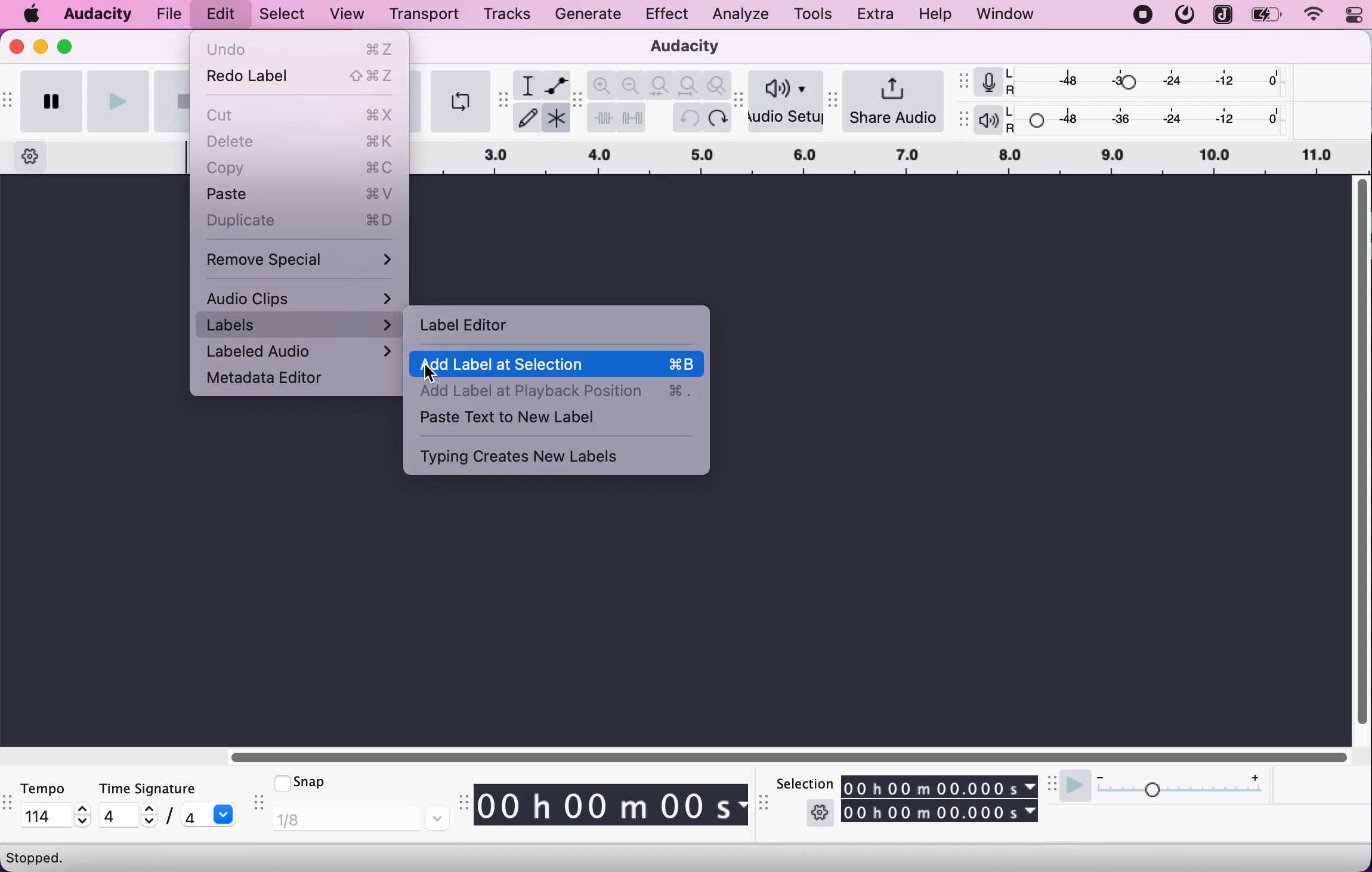 Image resolution: width=1372 pixels, height=872 pixels. I want to click on redo, so click(718, 117).